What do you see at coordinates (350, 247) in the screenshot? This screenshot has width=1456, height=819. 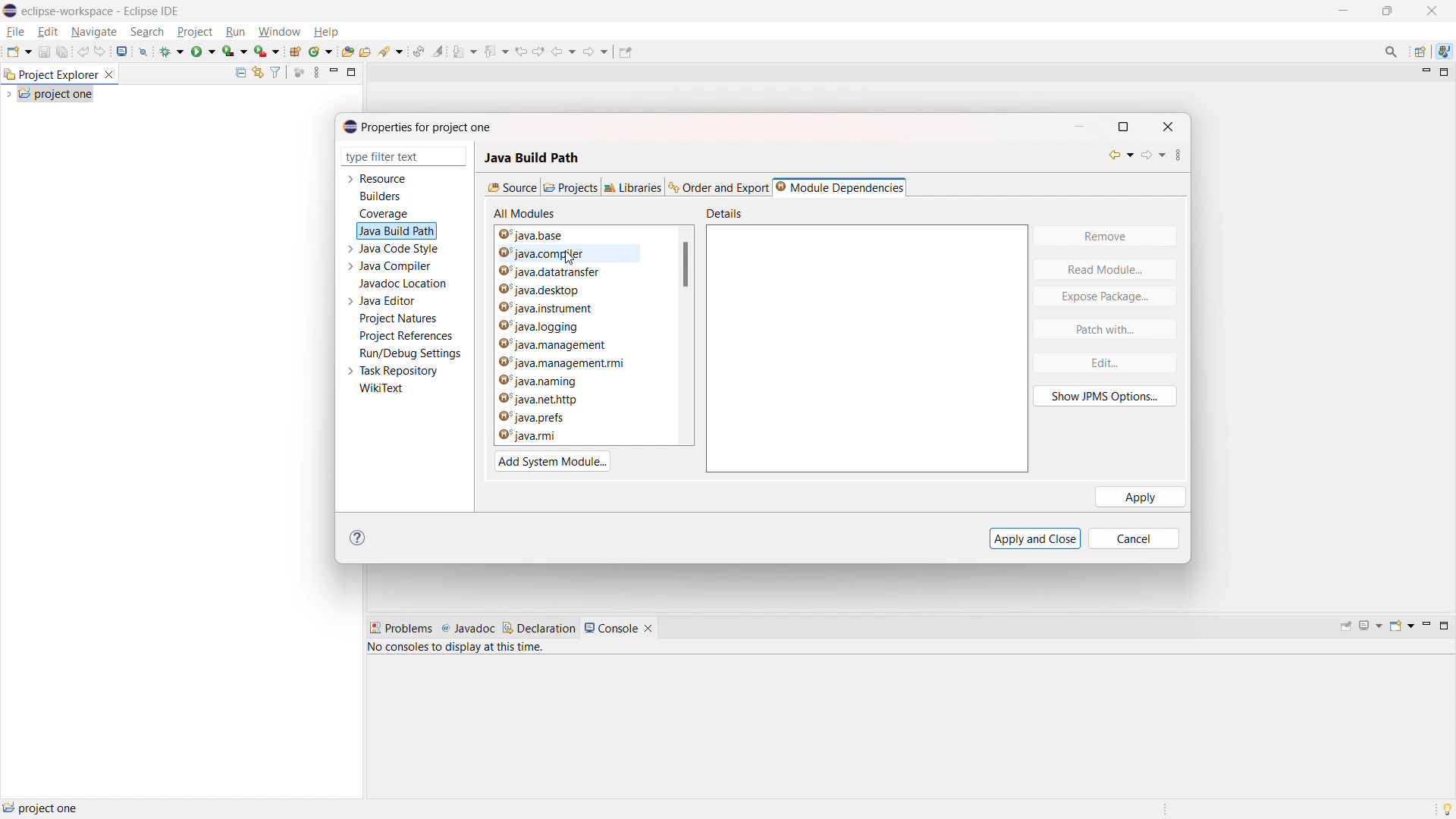 I see `expand java code style` at bounding box center [350, 247].